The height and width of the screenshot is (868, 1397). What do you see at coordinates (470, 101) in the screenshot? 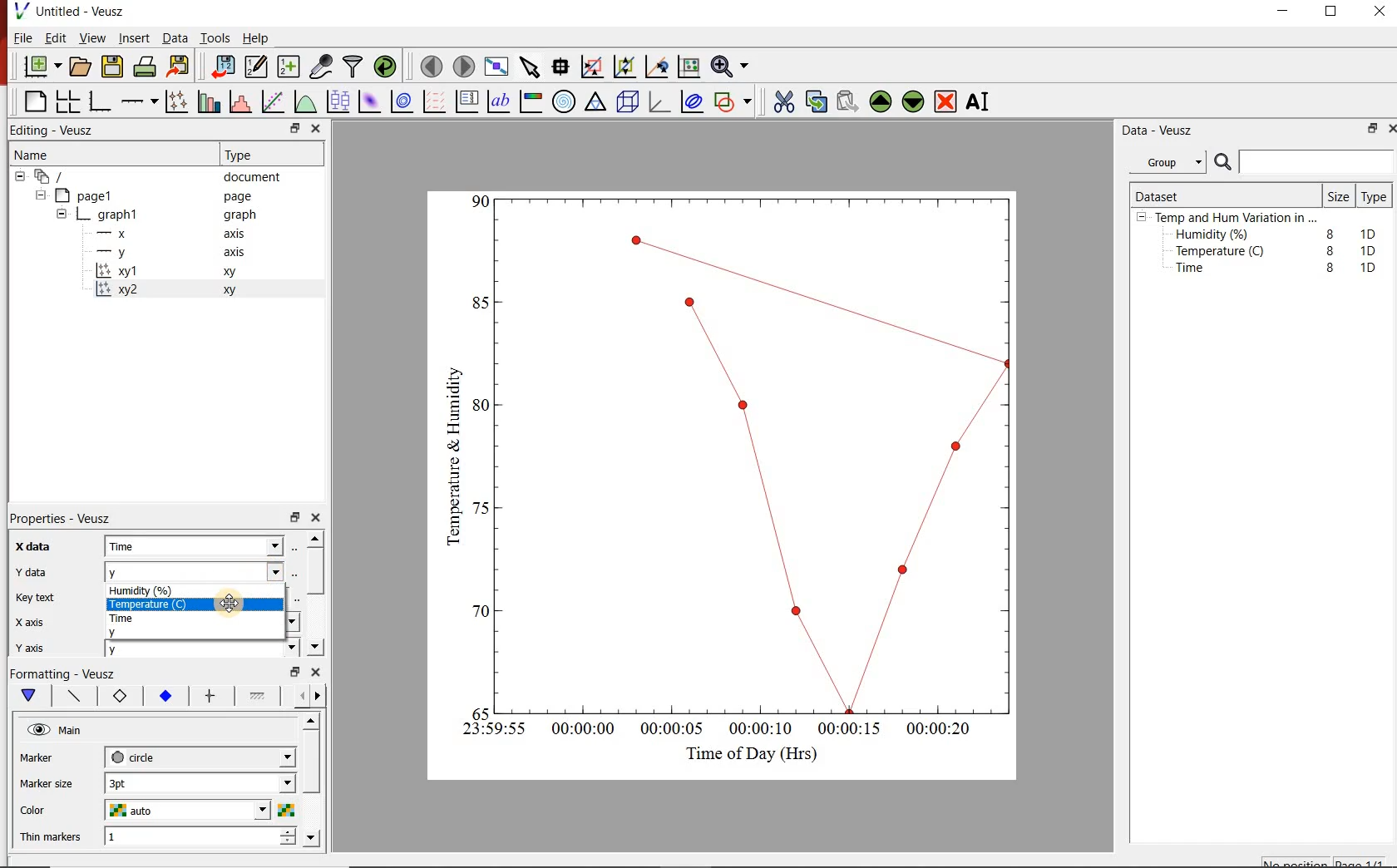
I see `plot key` at bounding box center [470, 101].